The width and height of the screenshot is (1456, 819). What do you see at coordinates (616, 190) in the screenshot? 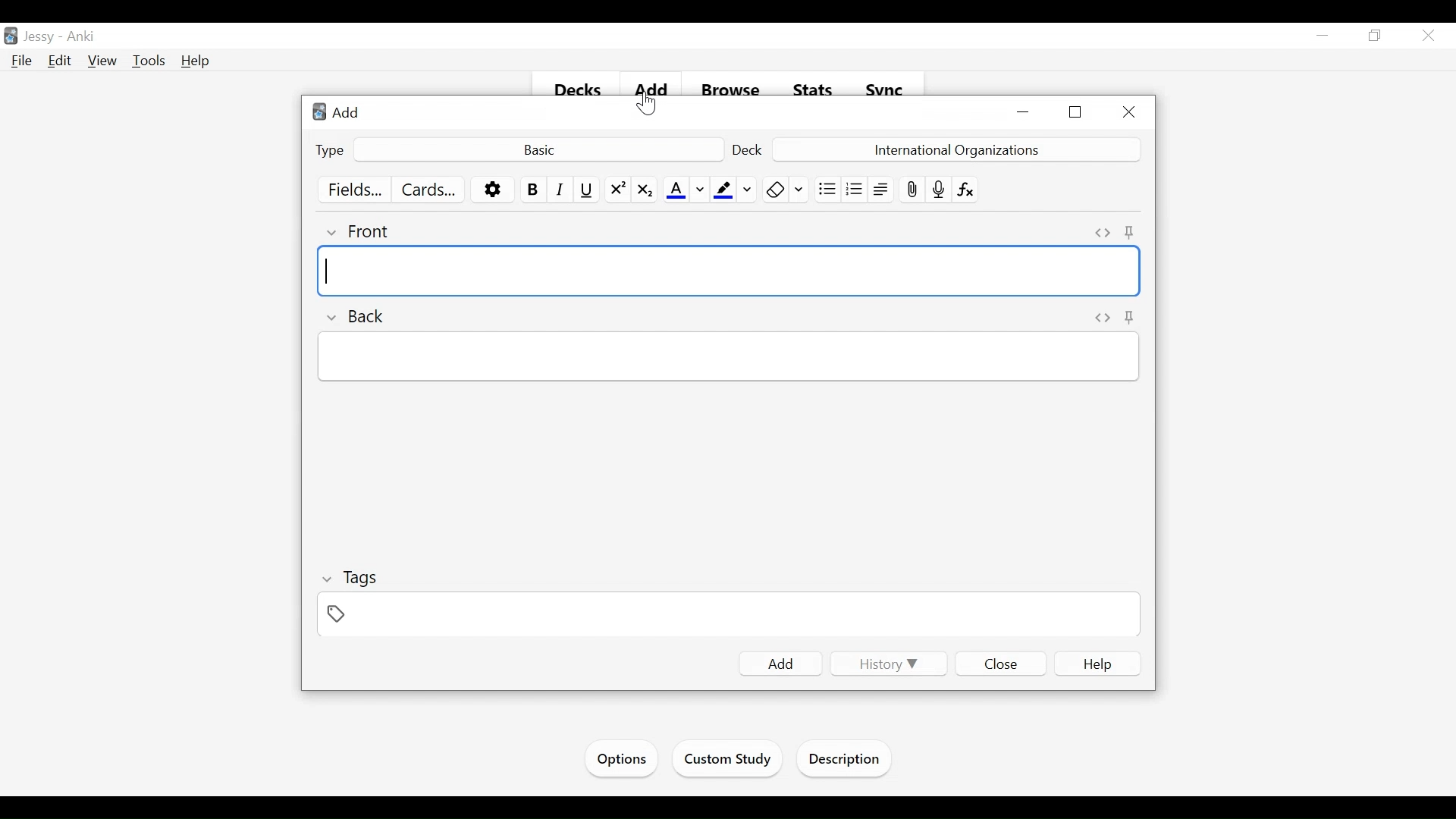
I see `Superscript` at bounding box center [616, 190].